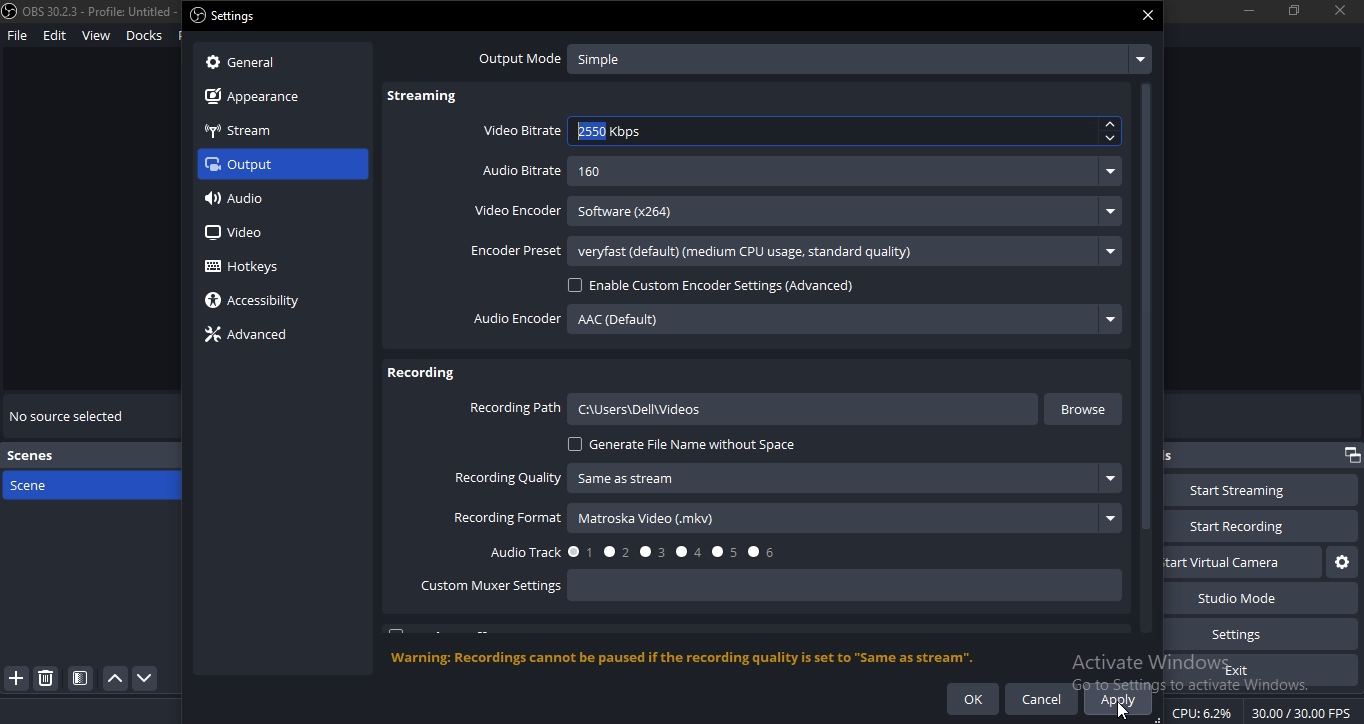  I want to click on ok, so click(973, 699).